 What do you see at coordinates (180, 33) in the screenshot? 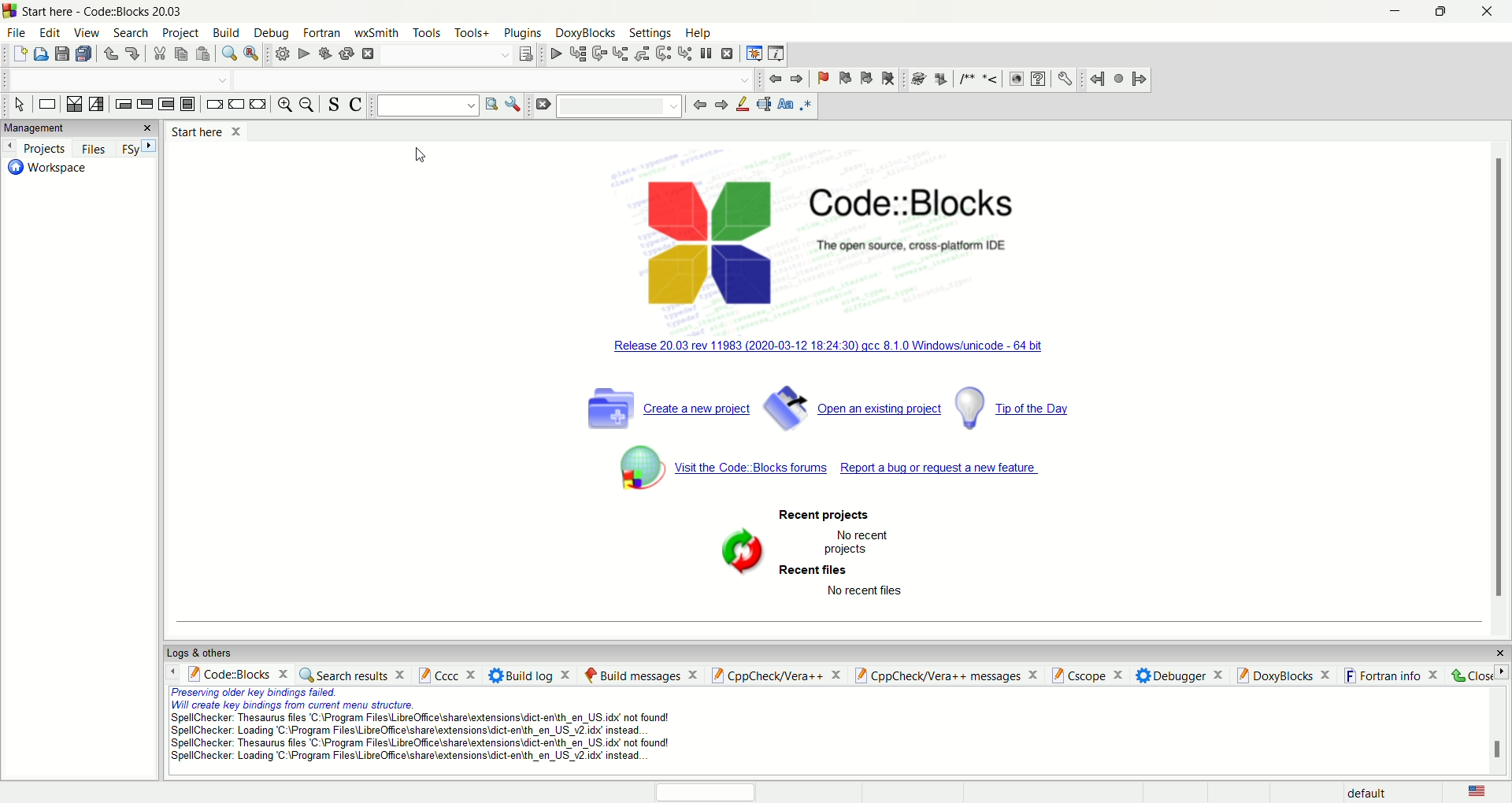
I see `project` at bounding box center [180, 33].